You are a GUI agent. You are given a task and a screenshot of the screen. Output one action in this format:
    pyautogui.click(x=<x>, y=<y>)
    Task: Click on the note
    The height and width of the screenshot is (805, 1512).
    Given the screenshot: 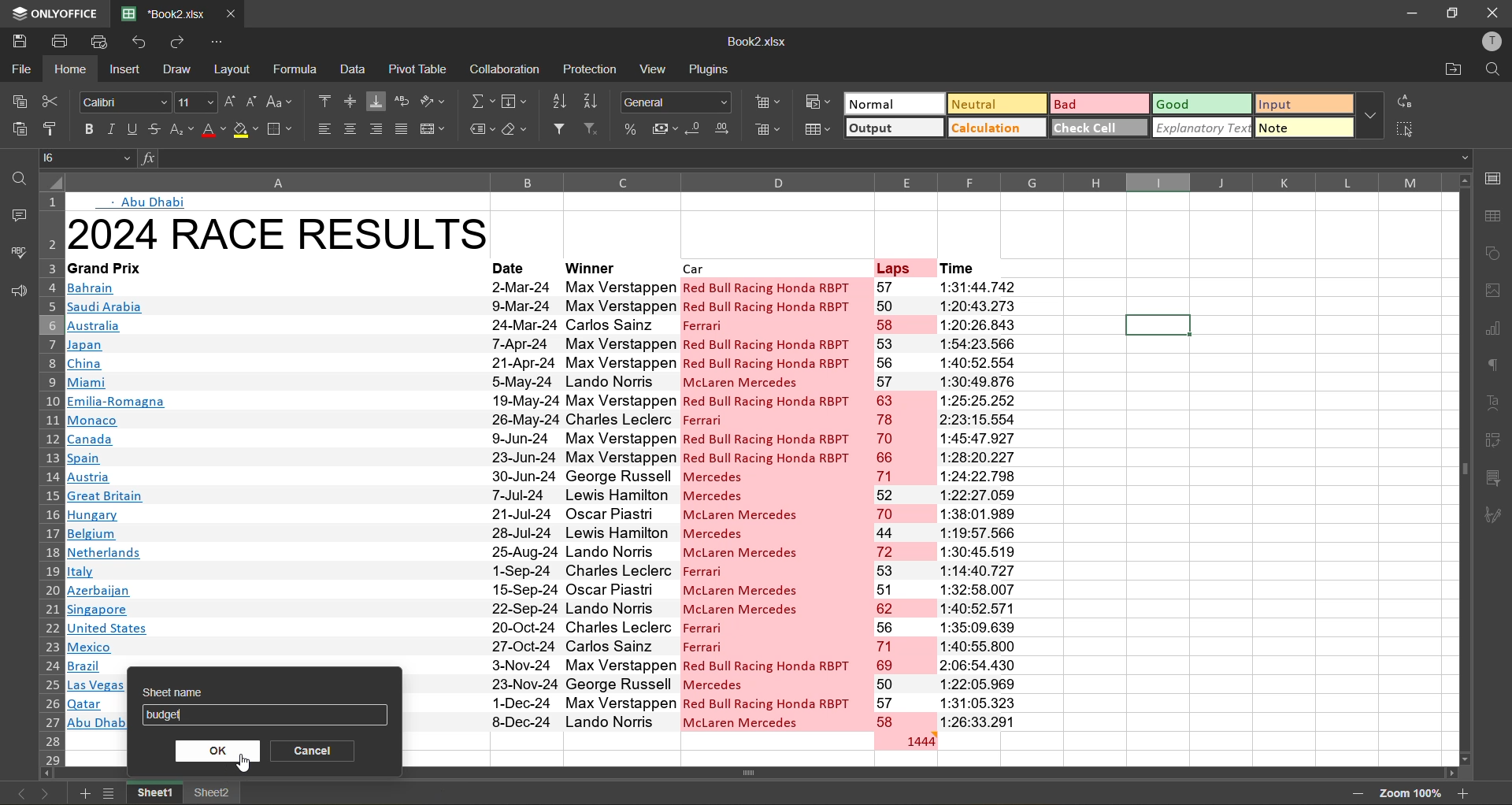 What is the action you would take?
    pyautogui.click(x=1304, y=128)
    